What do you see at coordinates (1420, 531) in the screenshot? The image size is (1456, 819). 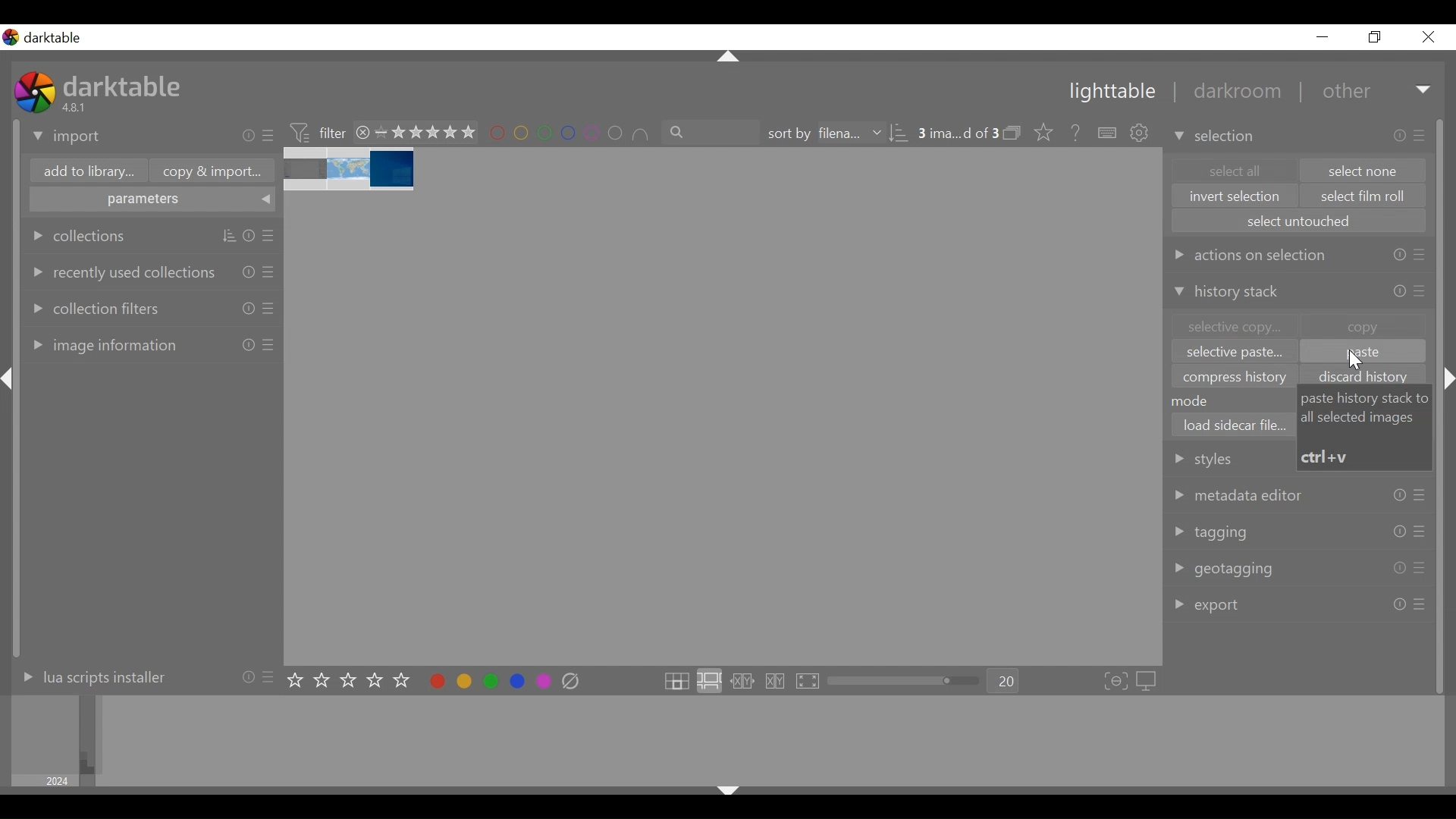 I see `presets` at bounding box center [1420, 531].